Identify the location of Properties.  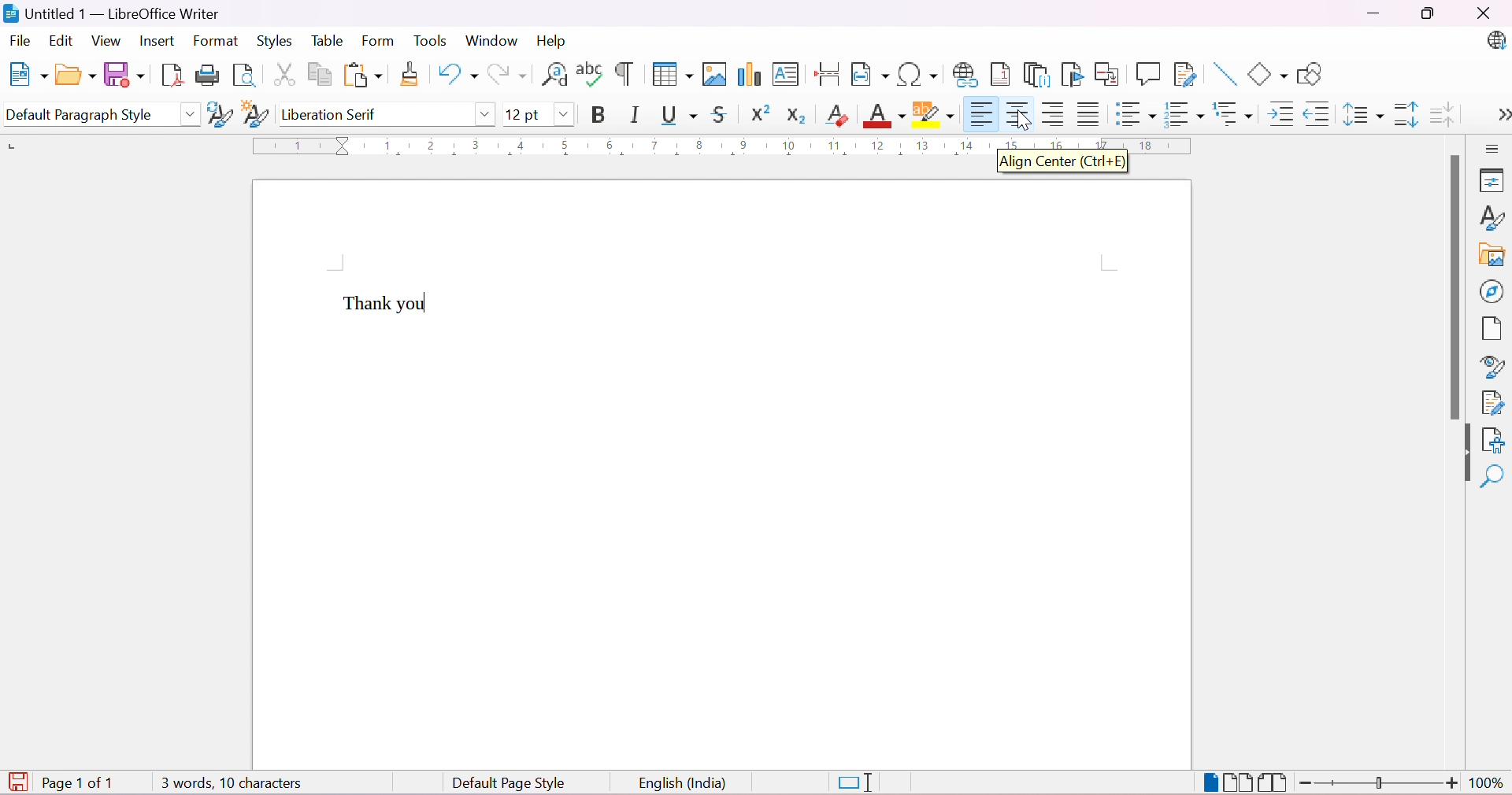
(1493, 181).